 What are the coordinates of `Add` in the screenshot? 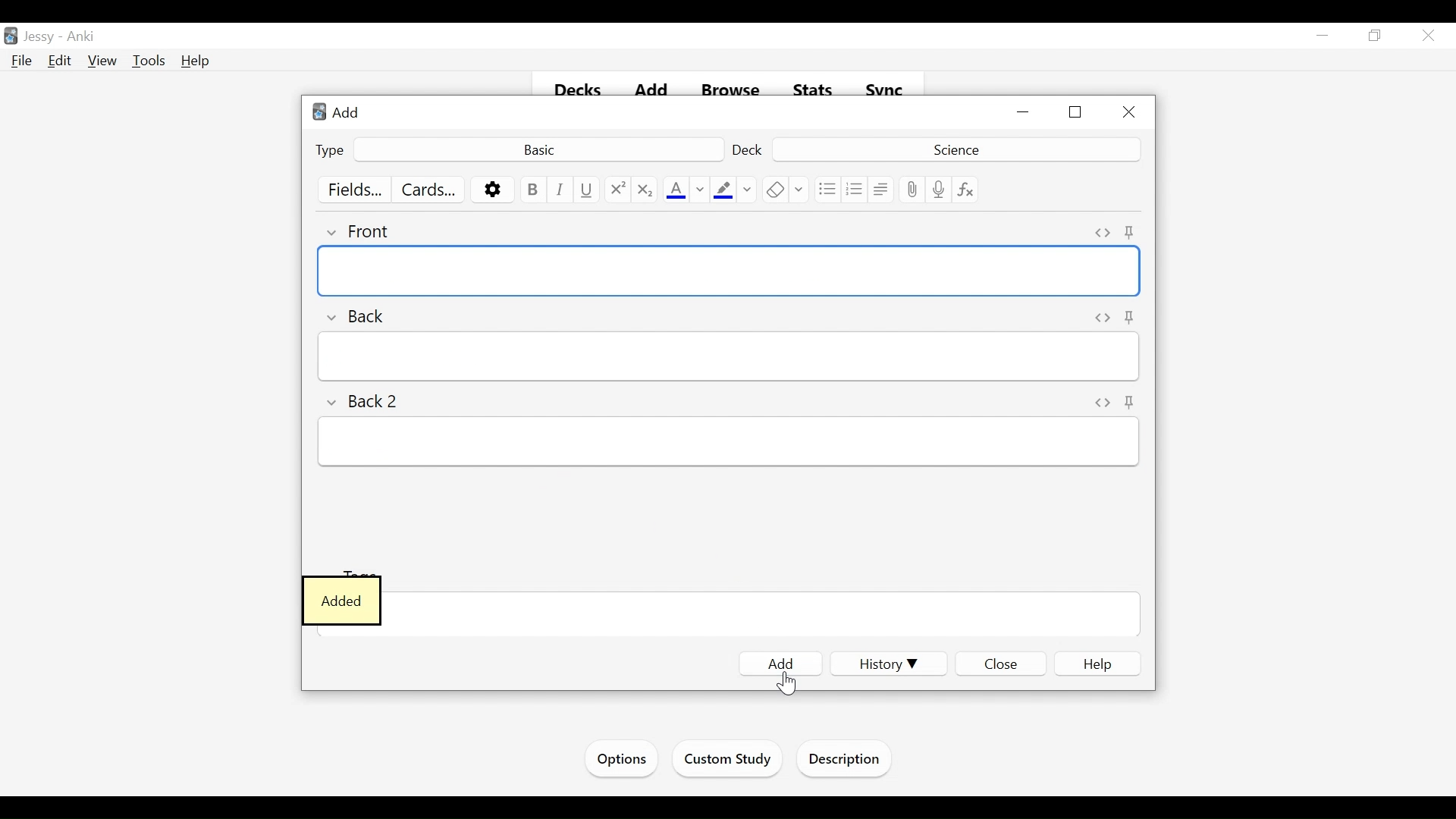 It's located at (340, 111).